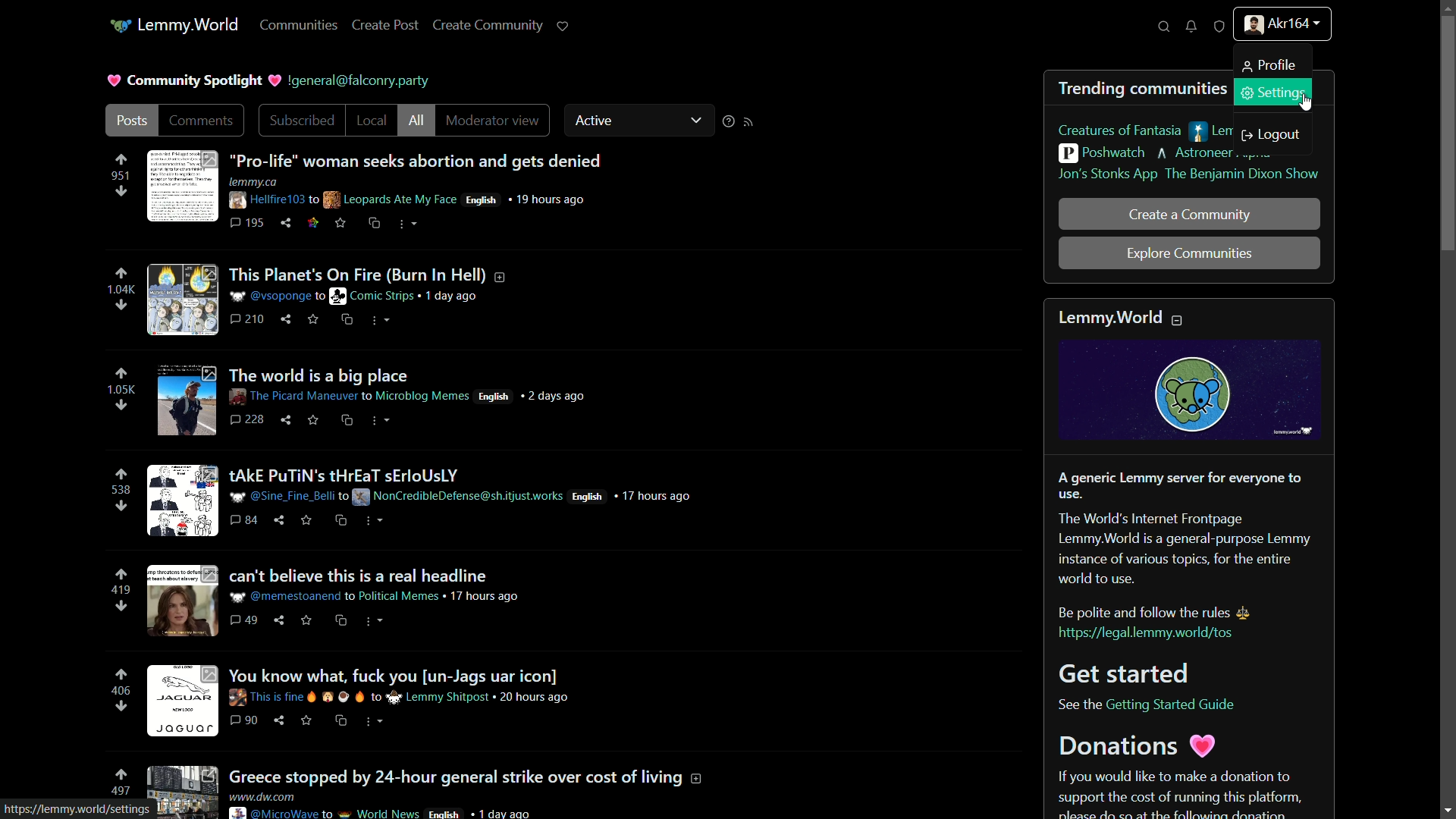 The image size is (1456, 819). What do you see at coordinates (416, 121) in the screenshot?
I see `all` at bounding box center [416, 121].